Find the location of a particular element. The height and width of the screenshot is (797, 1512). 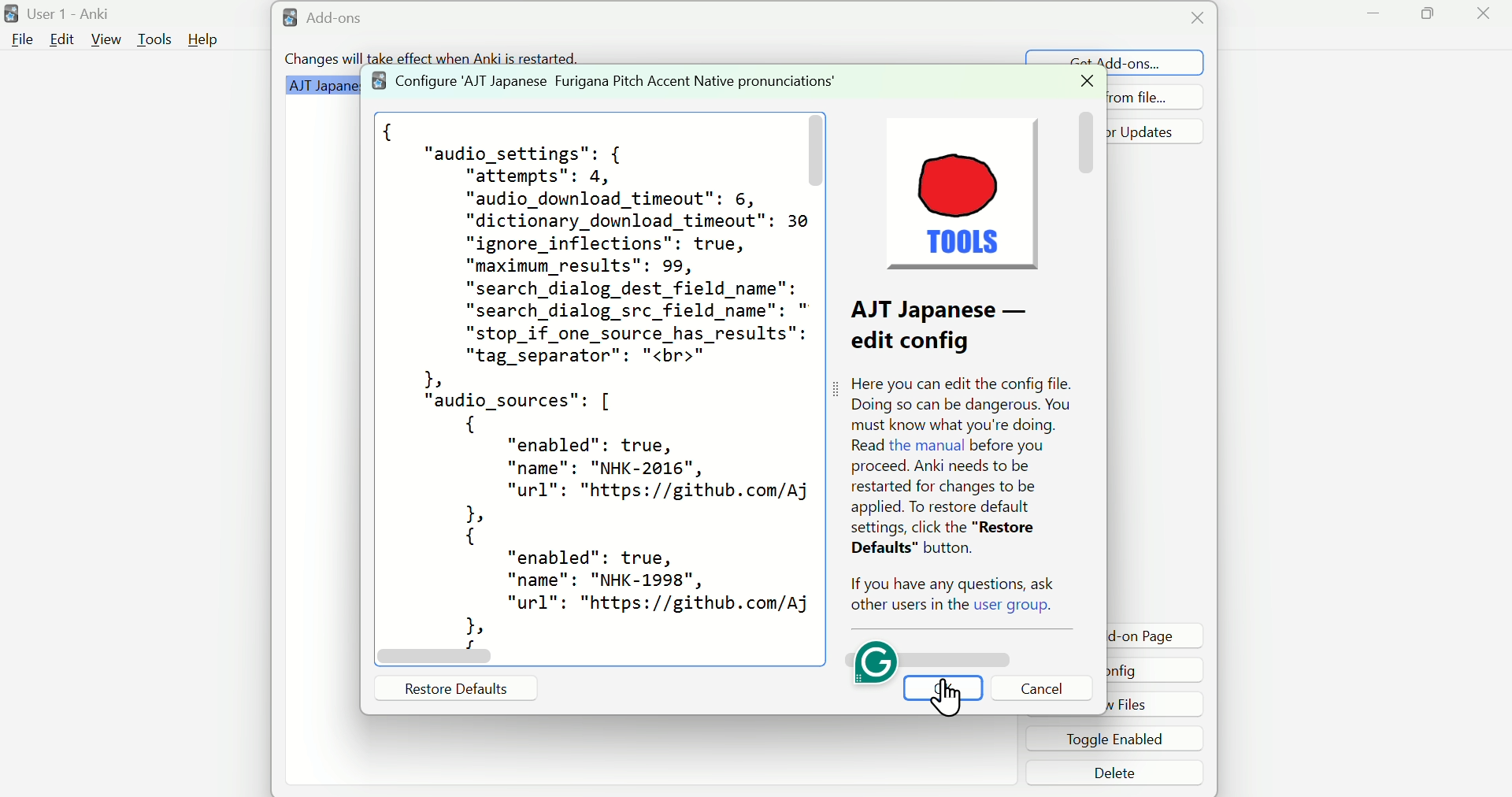

User 1 - Anki is located at coordinates (60, 13).